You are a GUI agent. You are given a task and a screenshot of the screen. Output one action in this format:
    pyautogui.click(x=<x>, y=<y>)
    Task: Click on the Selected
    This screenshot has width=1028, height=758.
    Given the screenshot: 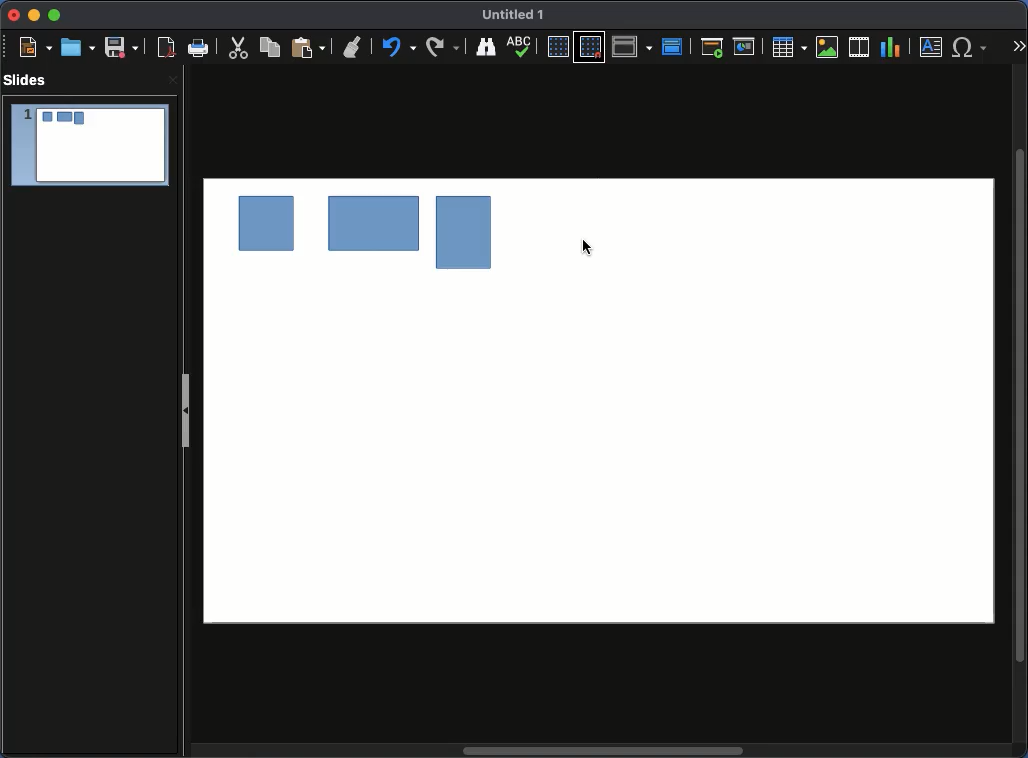 What is the action you would take?
    pyautogui.click(x=586, y=248)
    